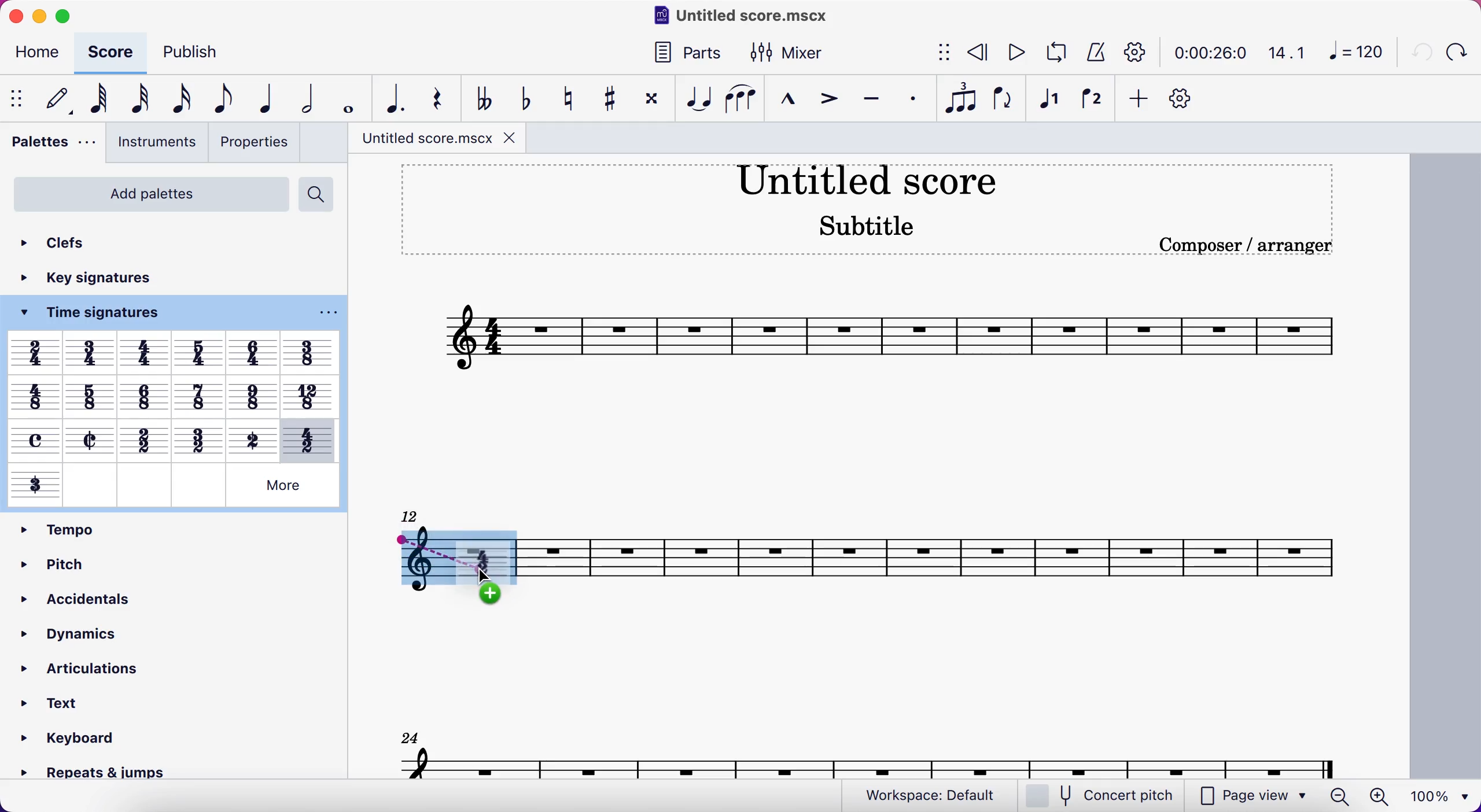  Describe the element at coordinates (480, 97) in the screenshot. I see `toggle double flat` at that location.